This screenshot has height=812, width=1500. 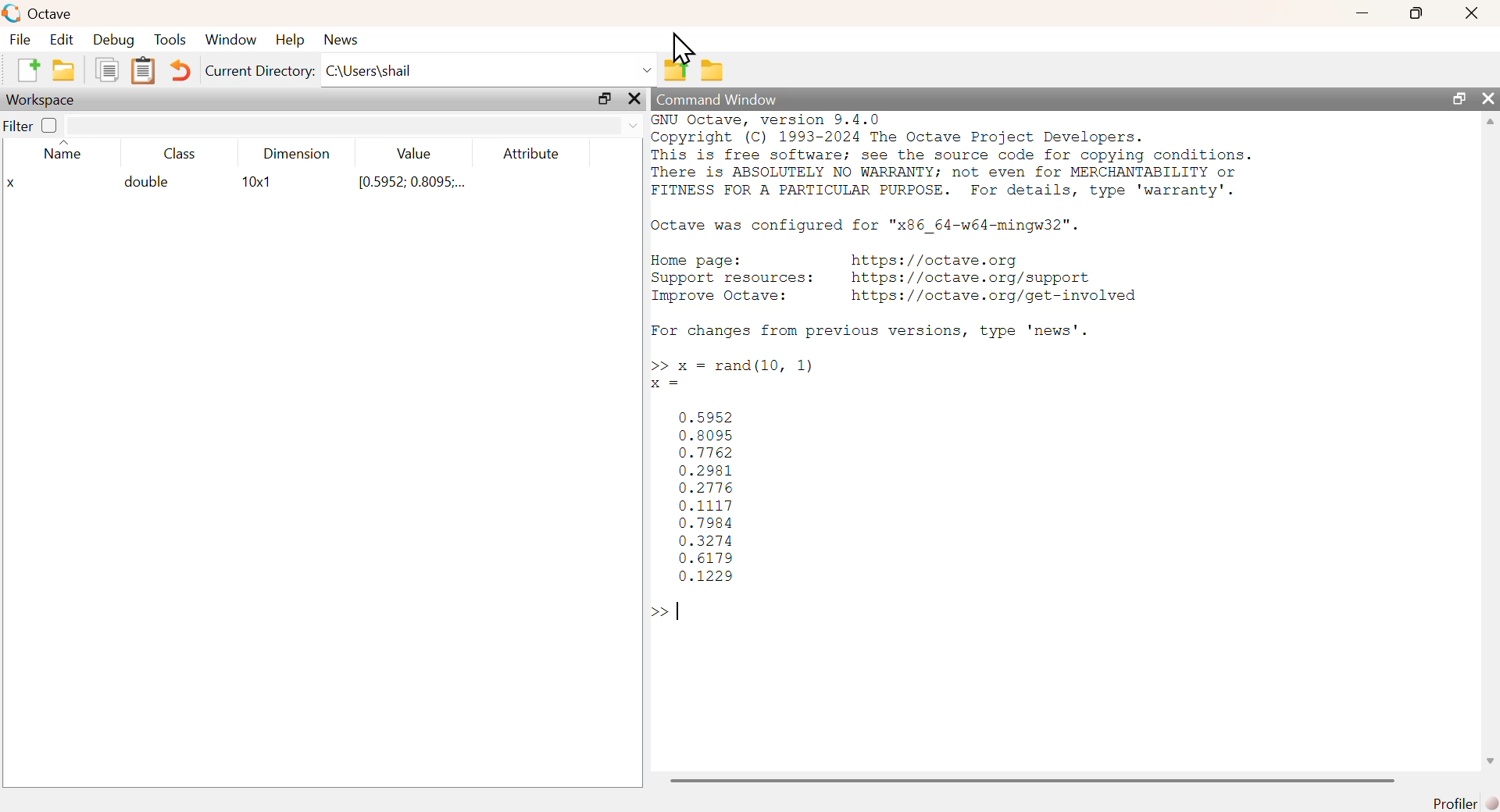 What do you see at coordinates (414, 155) in the screenshot?
I see `value` at bounding box center [414, 155].